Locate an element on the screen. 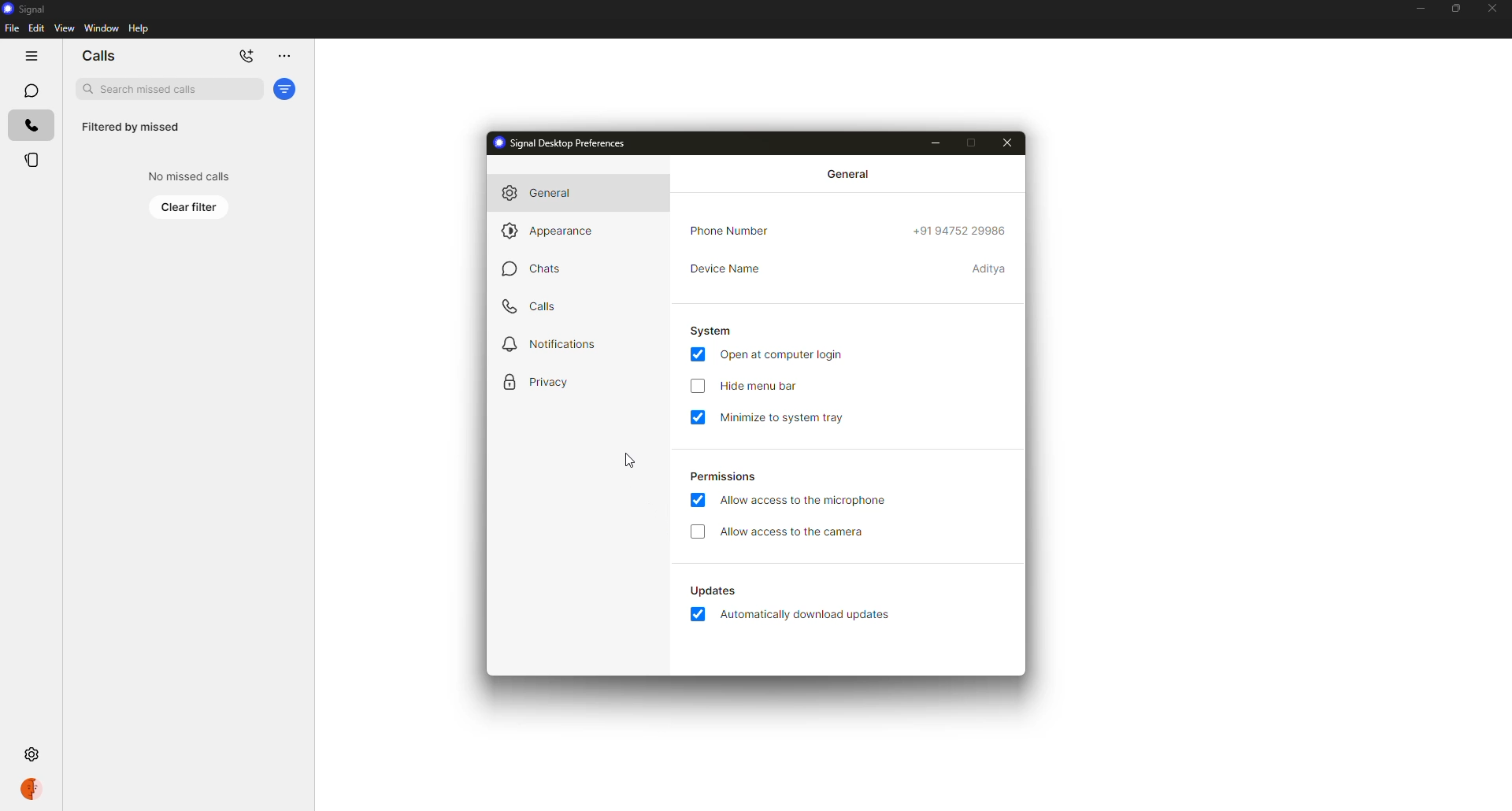 This screenshot has width=1512, height=811. general is located at coordinates (547, 194).